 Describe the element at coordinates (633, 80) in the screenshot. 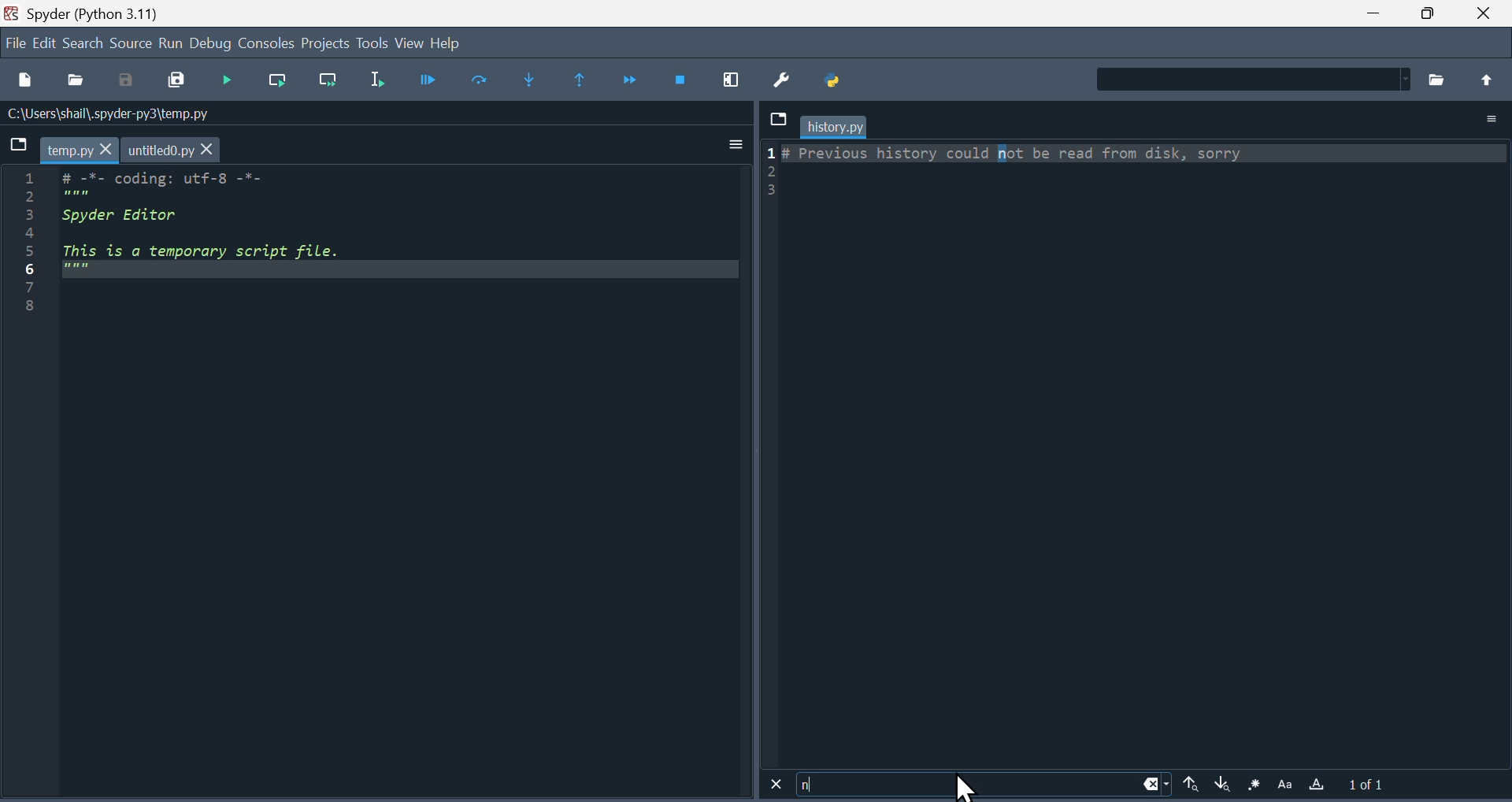

I see `Continue execution until next function` at that location.